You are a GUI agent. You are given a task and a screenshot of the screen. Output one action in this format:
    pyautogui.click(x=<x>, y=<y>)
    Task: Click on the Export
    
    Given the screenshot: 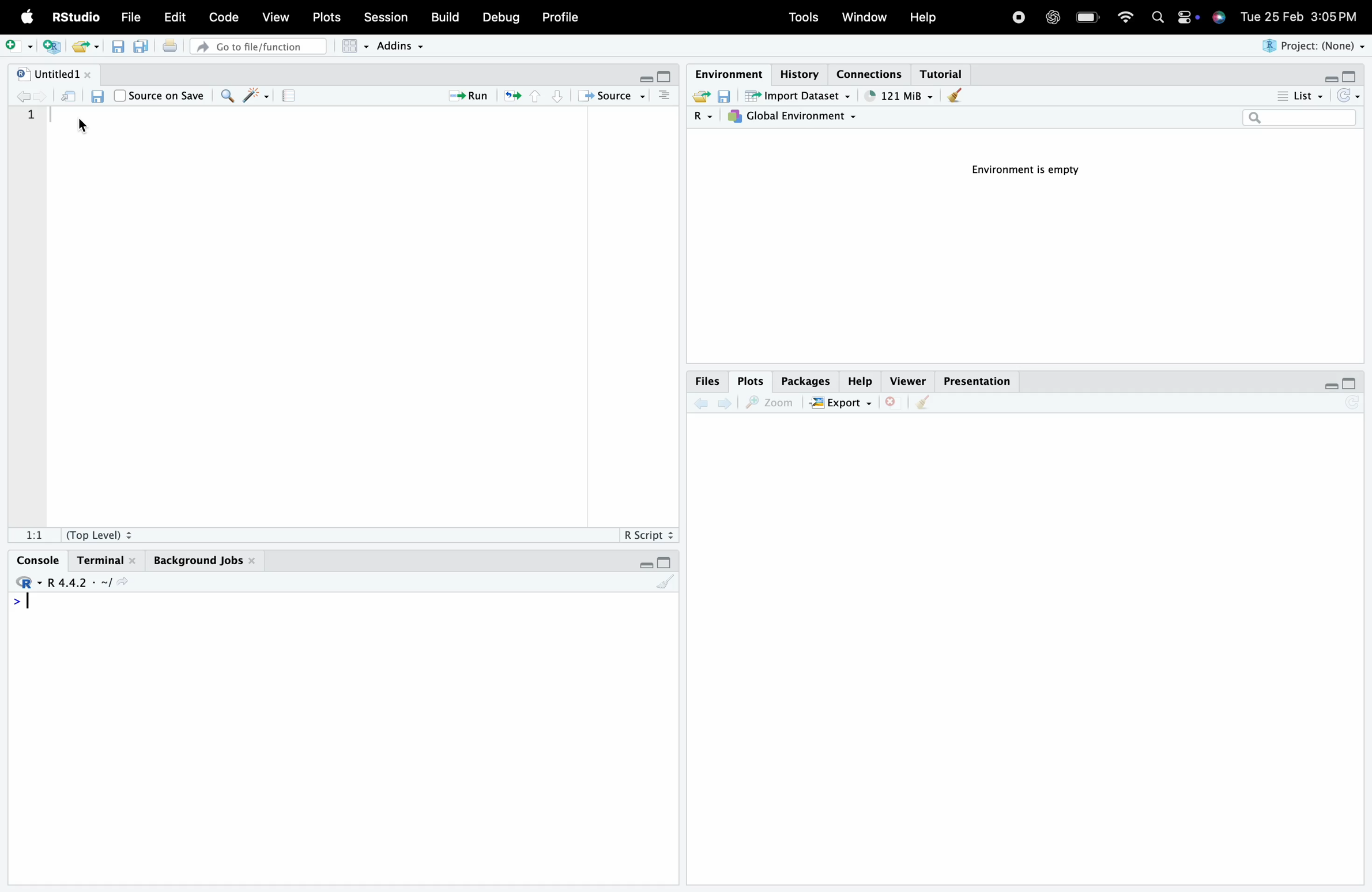 What is the action you would take?
    pyautogui.click(x=845, y=402)
    